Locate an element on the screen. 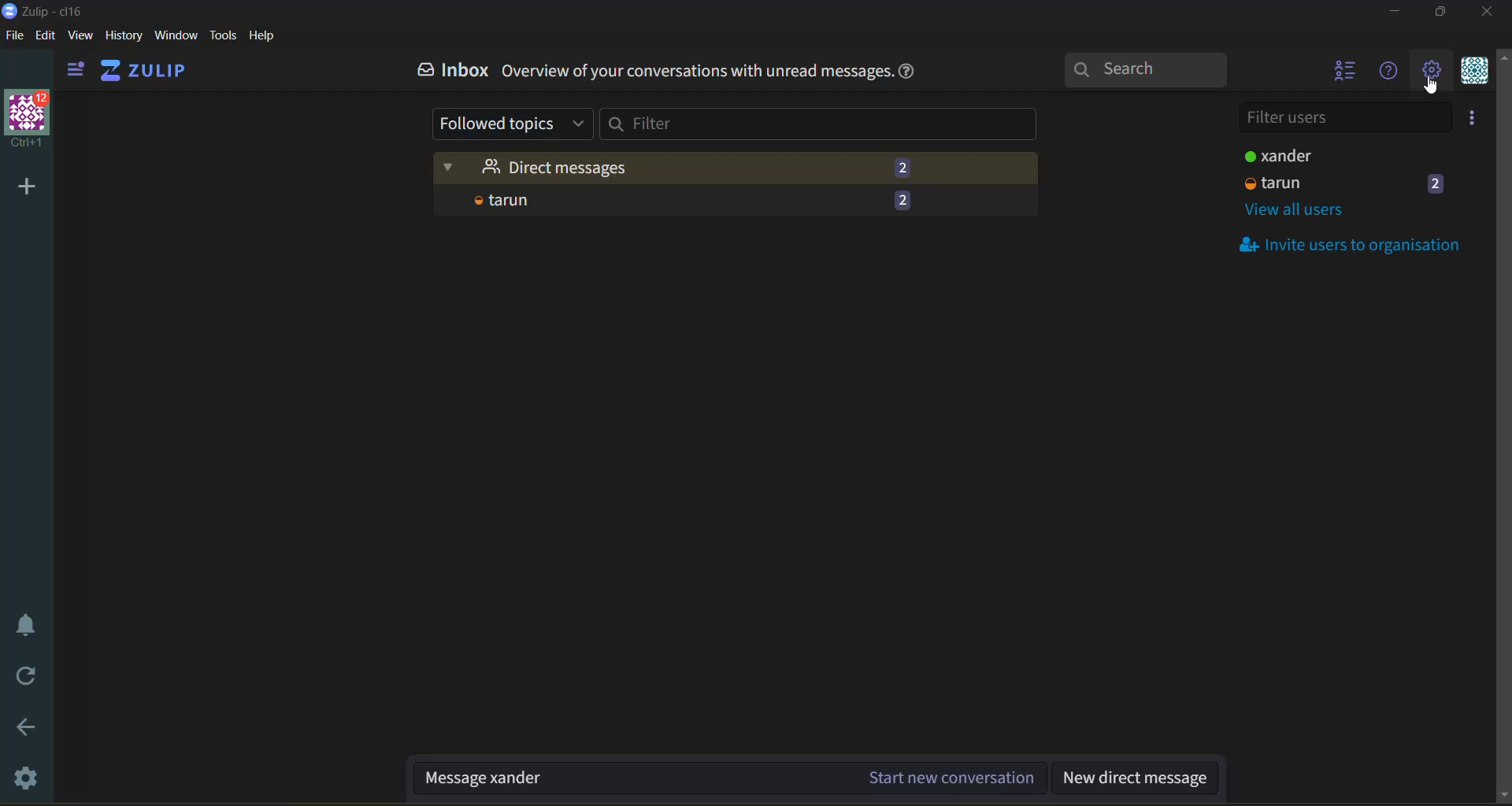 This screenshot has height=806, width=1512. reload is located at coordinates (28, 677).